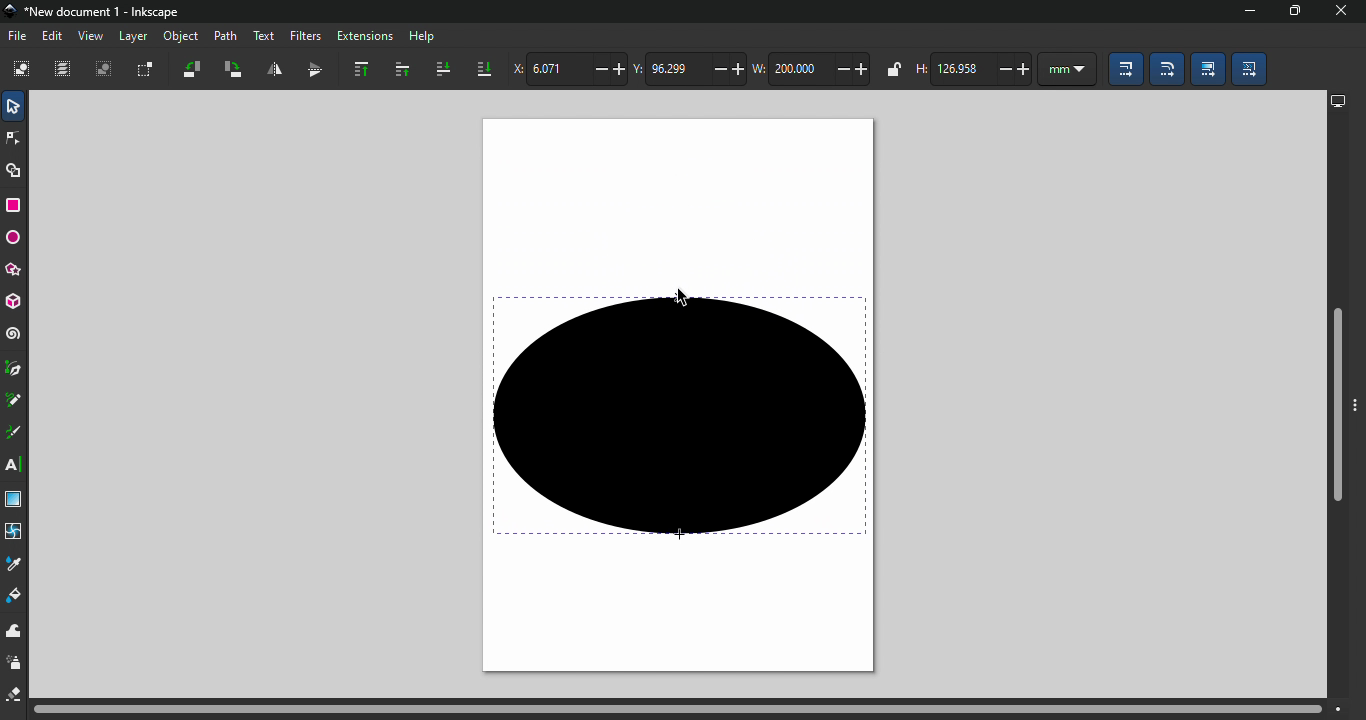 Image resolution: width=1366 pixels, height=720 pixels. What do you see at coordinates (1292, 12) in the screenshot?
I see `Maximize` at bounding box center [1292, 12].